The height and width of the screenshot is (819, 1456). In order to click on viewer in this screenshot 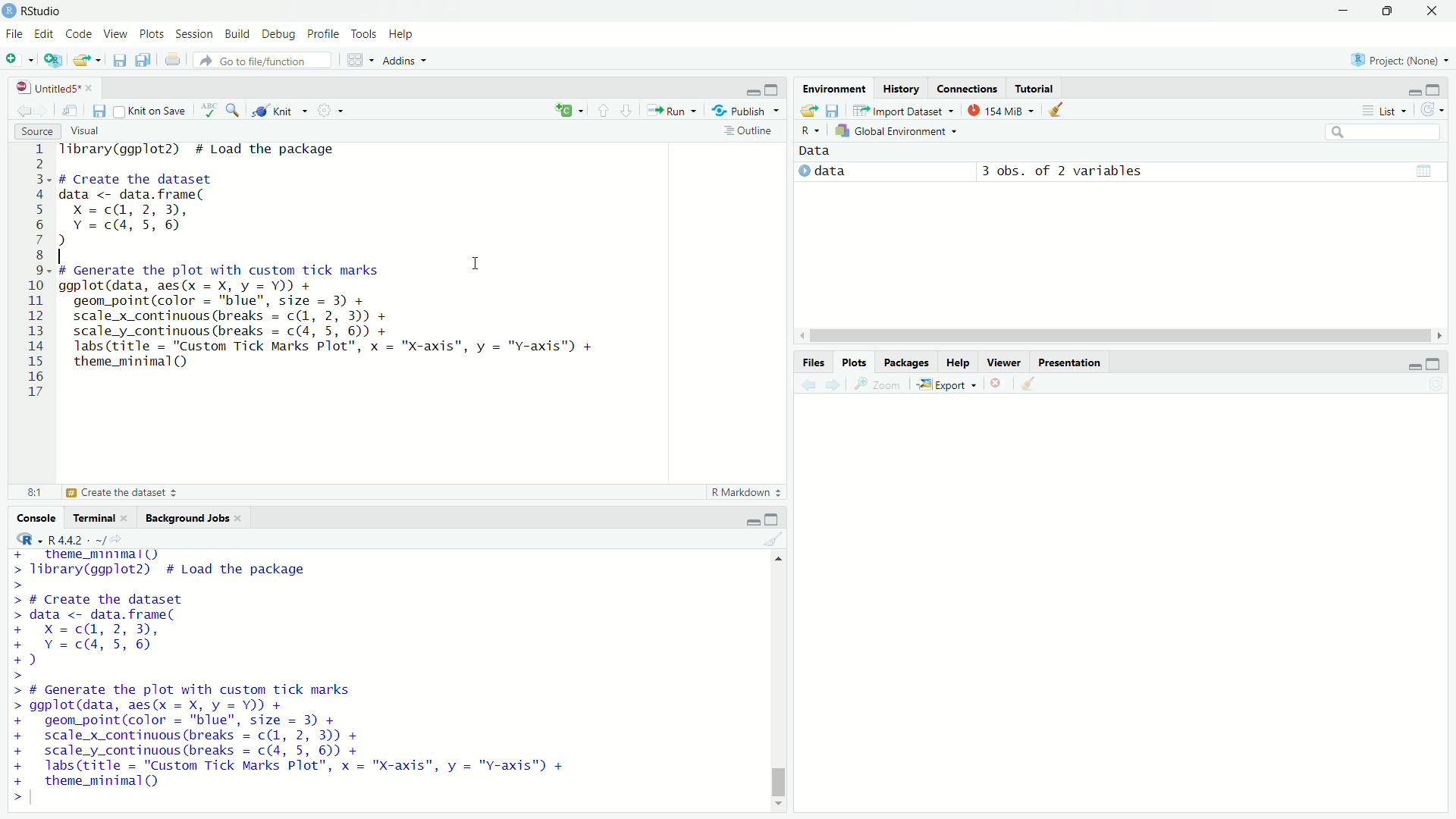, I will do `click(1005, 361)`.